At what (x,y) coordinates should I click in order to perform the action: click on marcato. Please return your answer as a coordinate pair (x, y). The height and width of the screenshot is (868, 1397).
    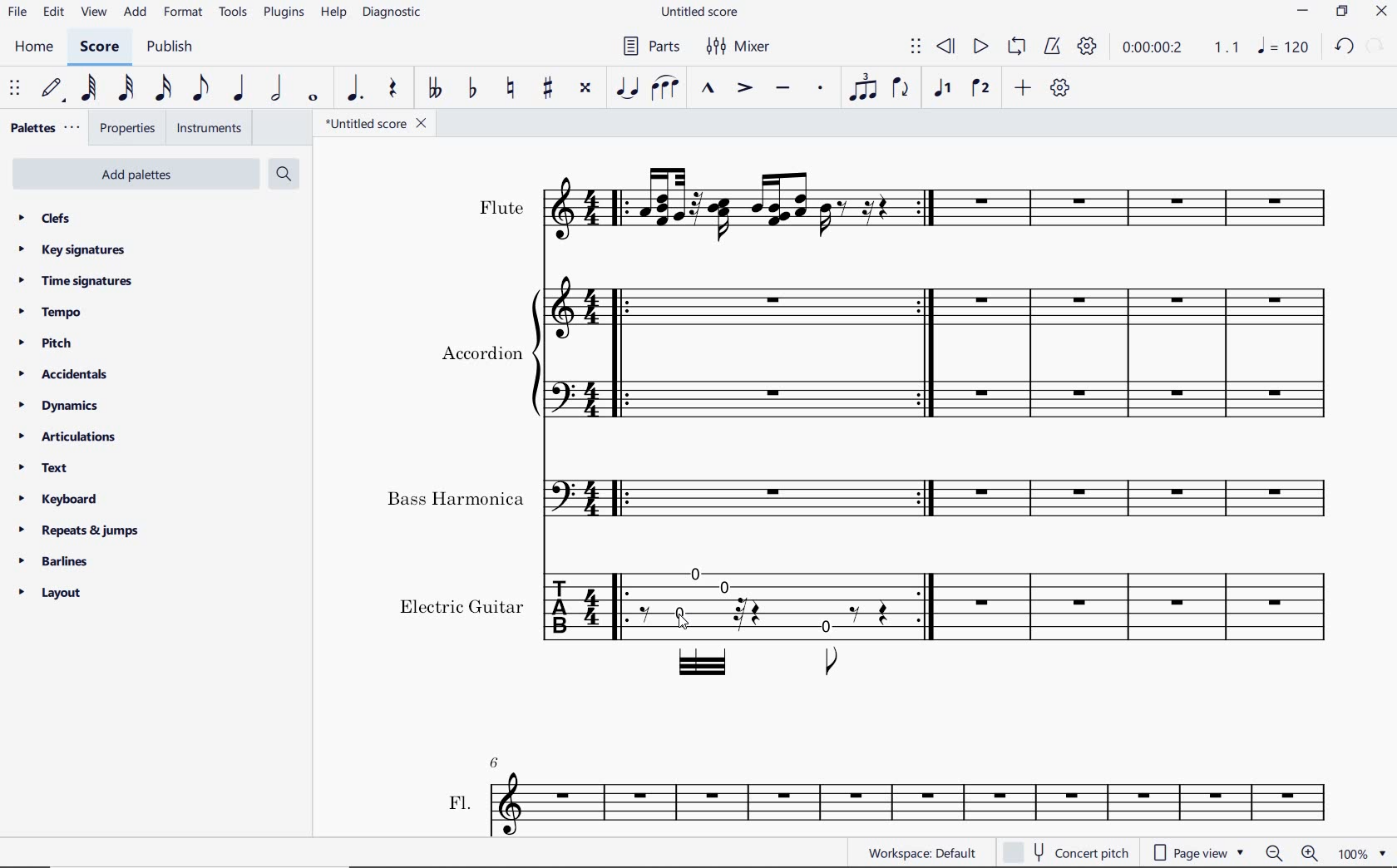
    Looking at the image, I should click on (710, 90).